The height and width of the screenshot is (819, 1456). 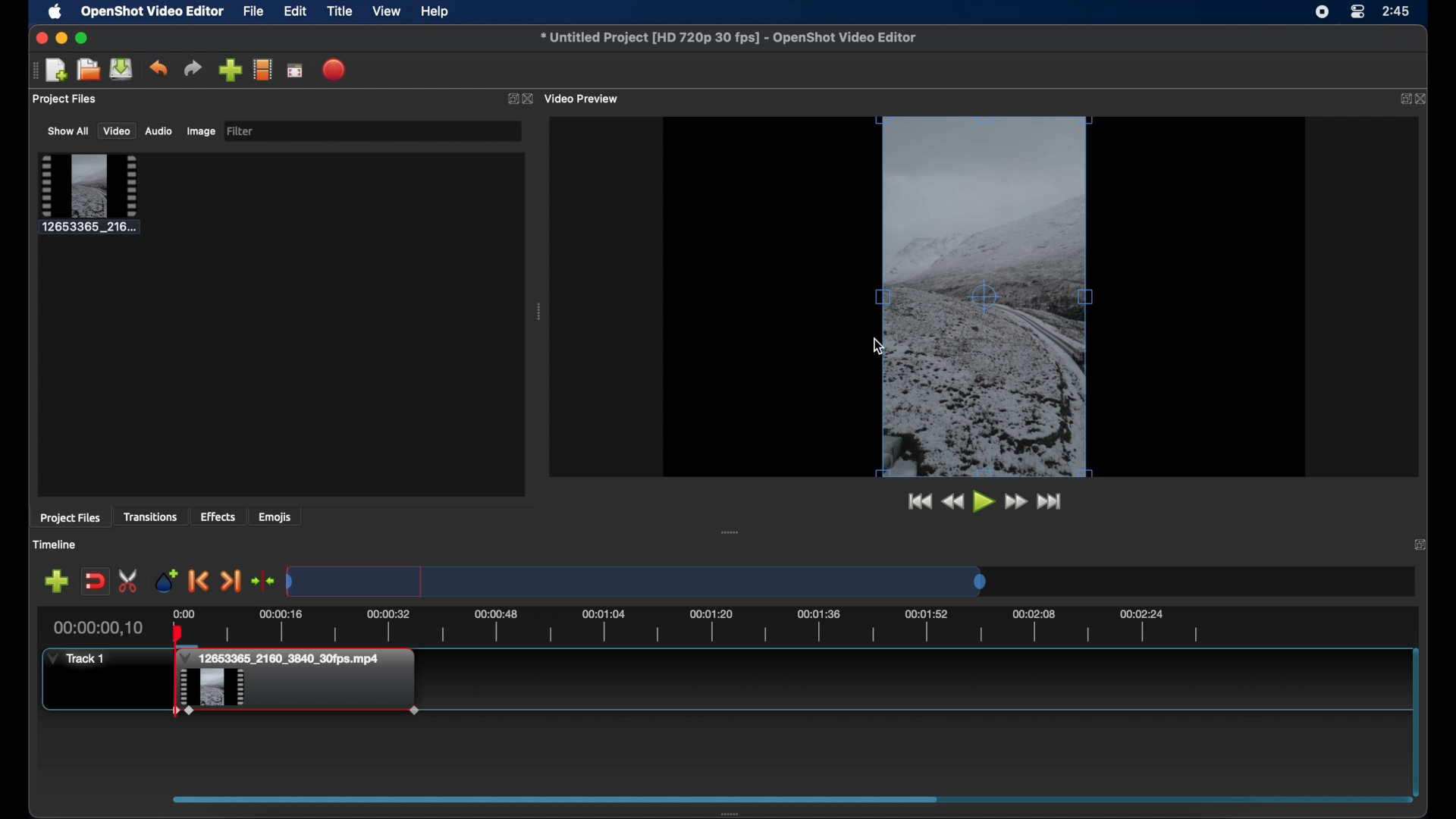 I want to click on next marker, so click(x=232, y=582).